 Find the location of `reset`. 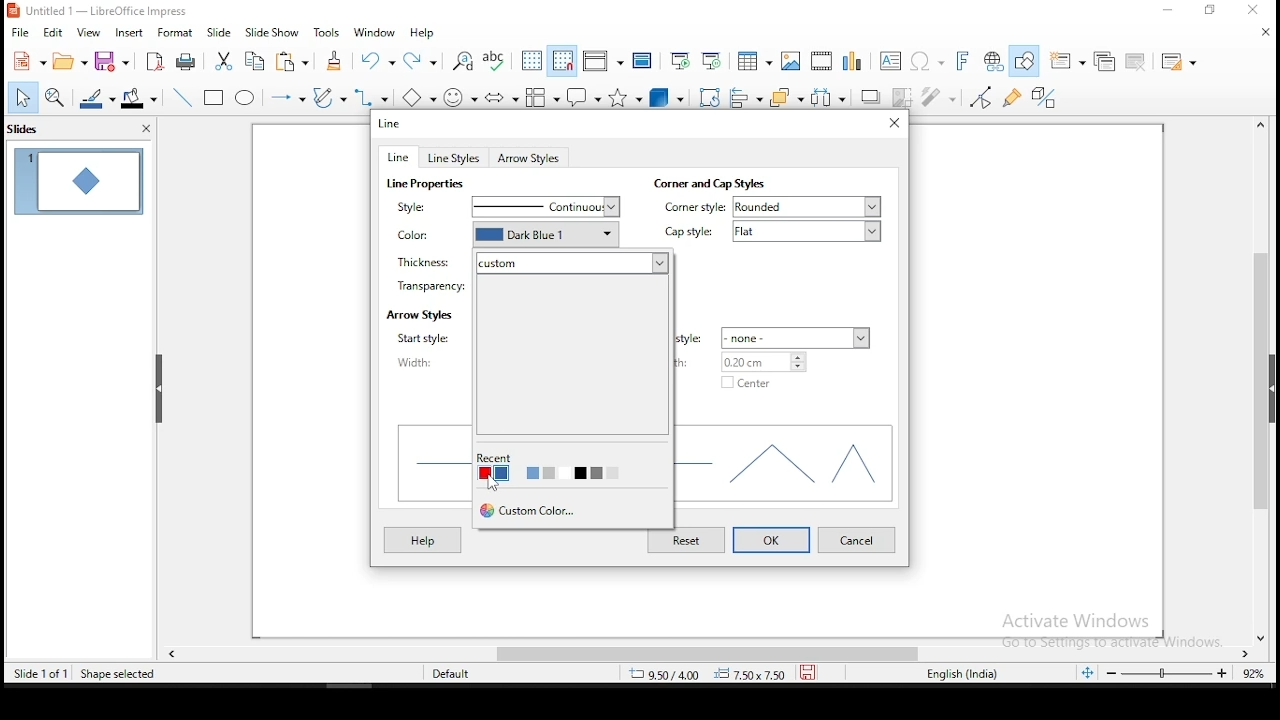

reset is located at coordinates (689, 541).